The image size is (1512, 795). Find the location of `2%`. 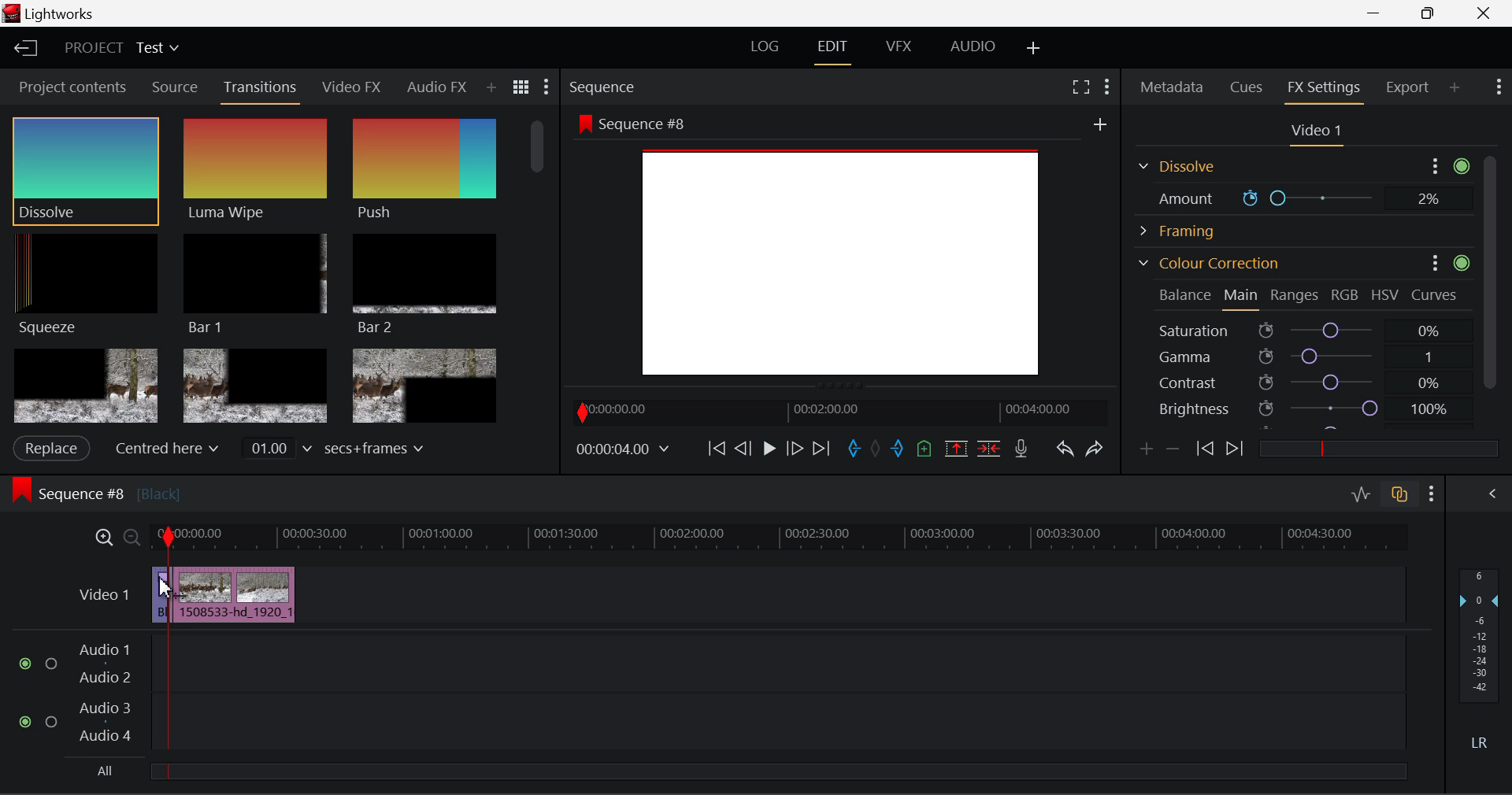

2% is located at coordinates (1429, 198).